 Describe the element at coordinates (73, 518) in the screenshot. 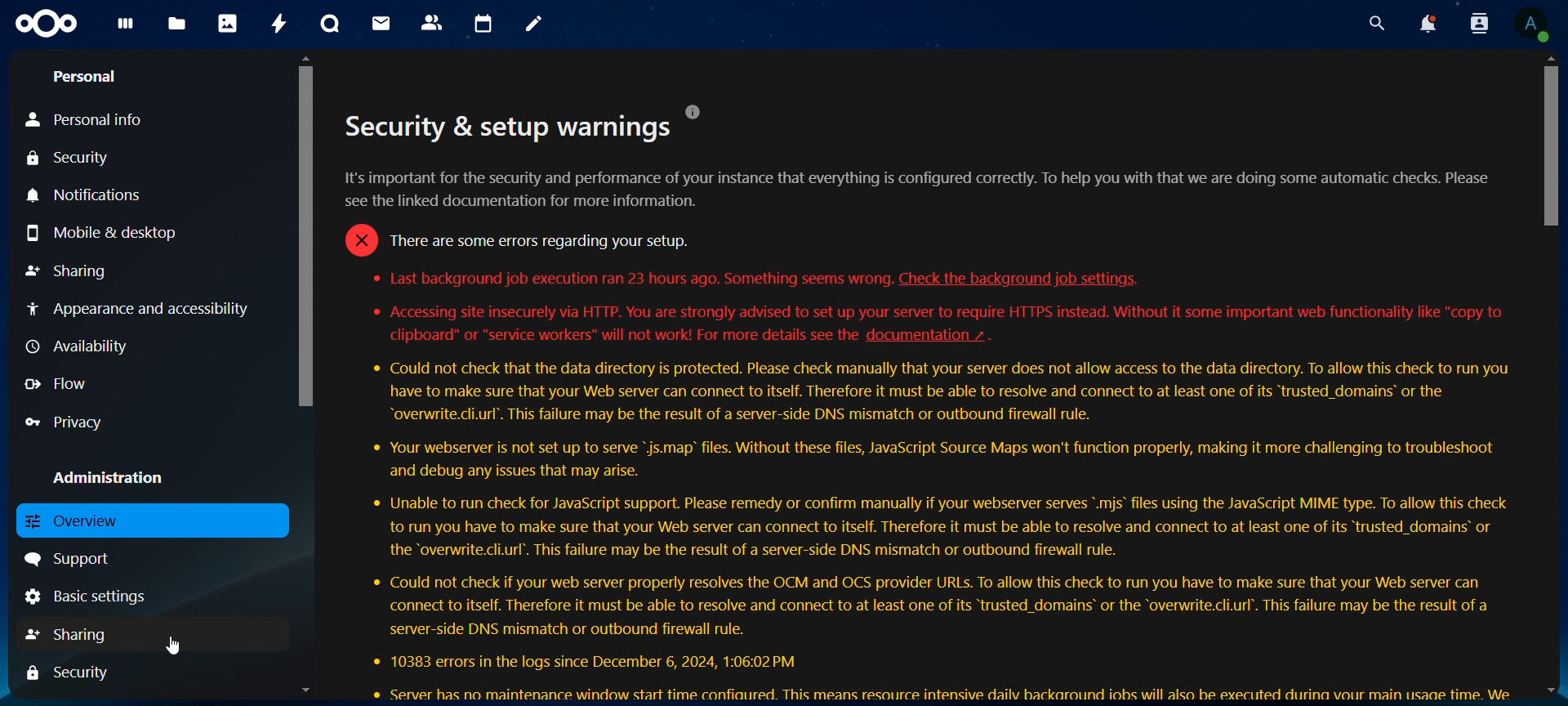

I see `overview` at that location.